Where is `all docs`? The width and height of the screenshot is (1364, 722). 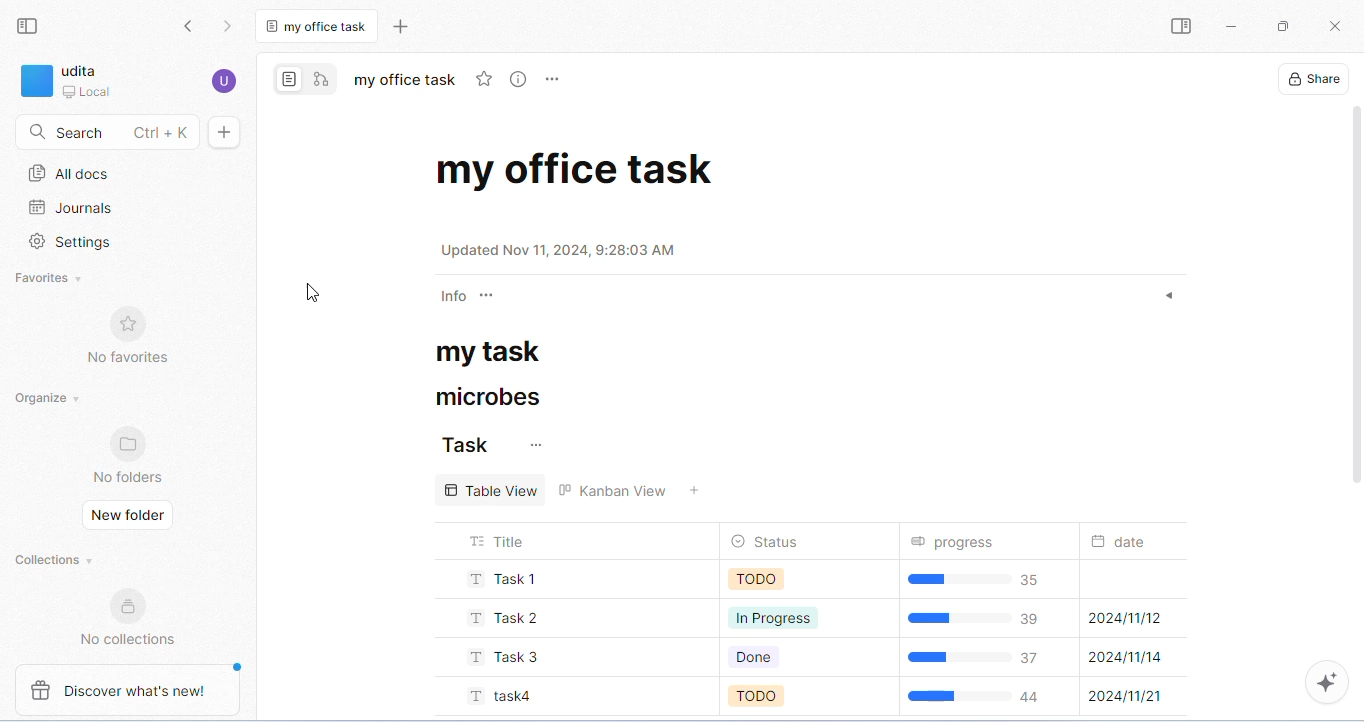 all docs is located at coordinates (69, 173).